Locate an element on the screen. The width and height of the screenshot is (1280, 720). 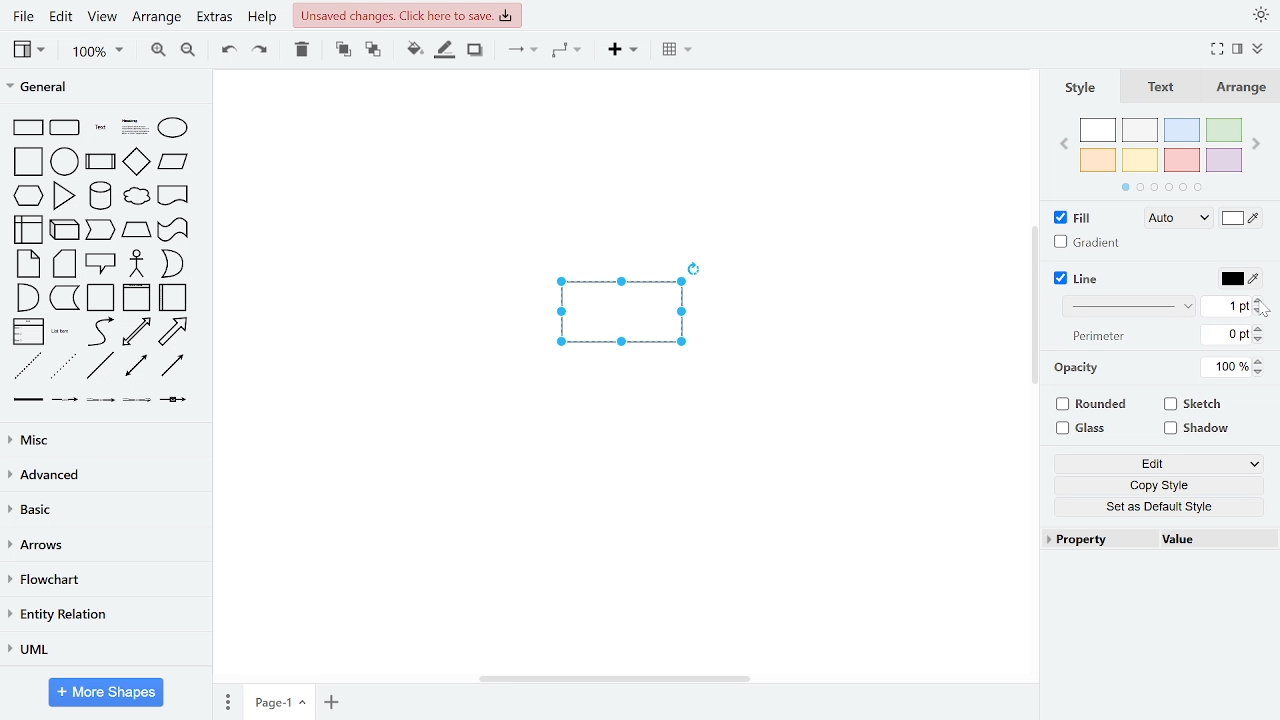
to front is located at coordinates (342, 52).